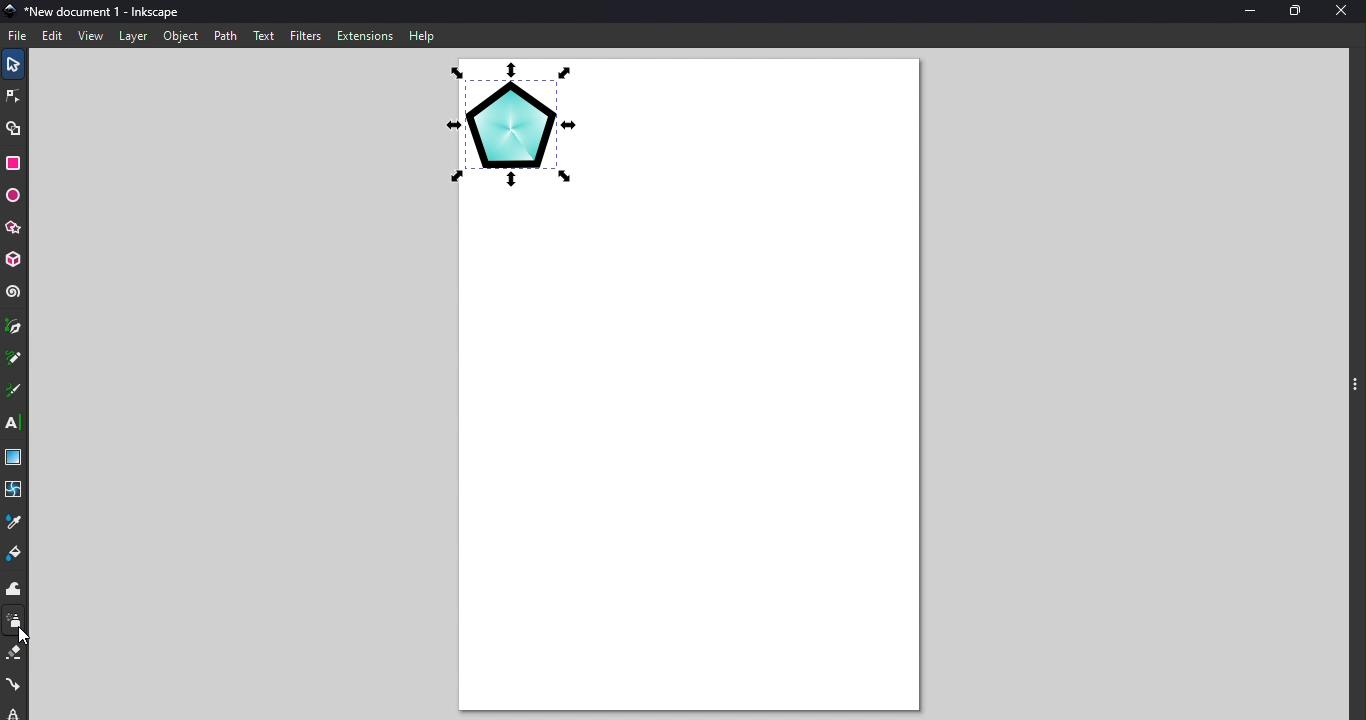 This screenshot has height=720, width=1366. I want to click on Dropper tool, so click(17, 521).